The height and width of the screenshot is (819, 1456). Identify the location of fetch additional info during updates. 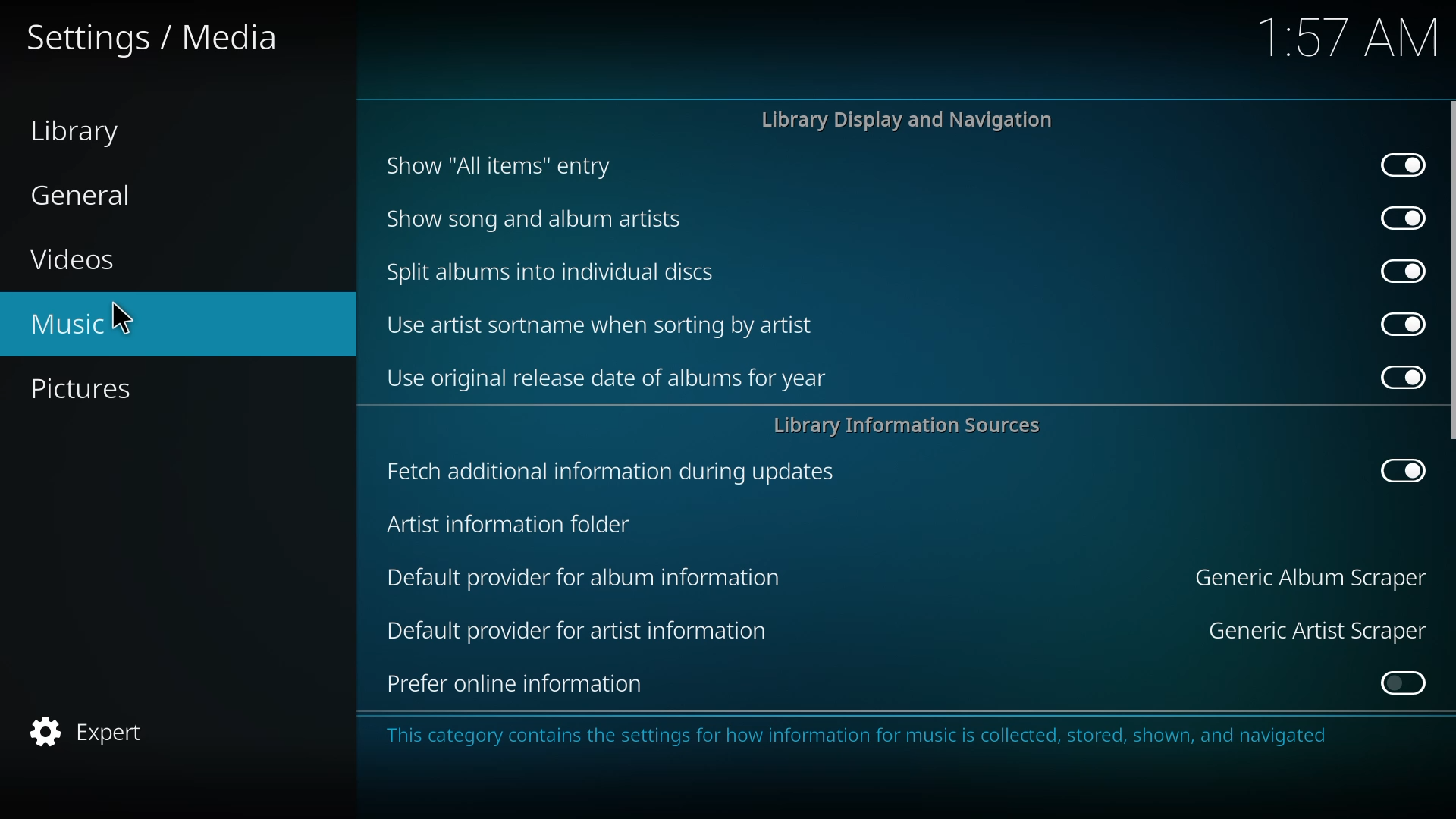
(610, 469).